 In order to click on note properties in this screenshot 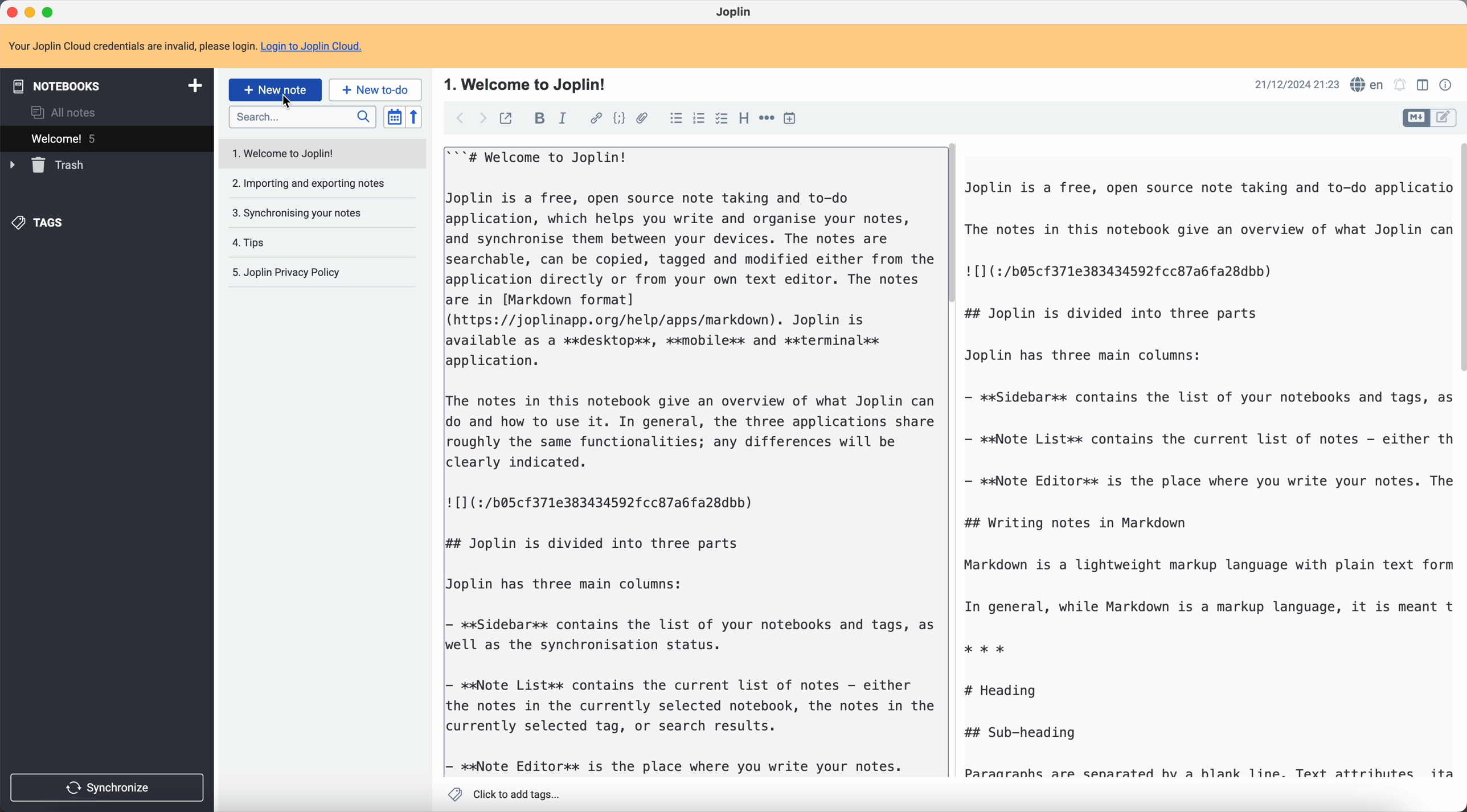, I will do `click(1448, 85)`.